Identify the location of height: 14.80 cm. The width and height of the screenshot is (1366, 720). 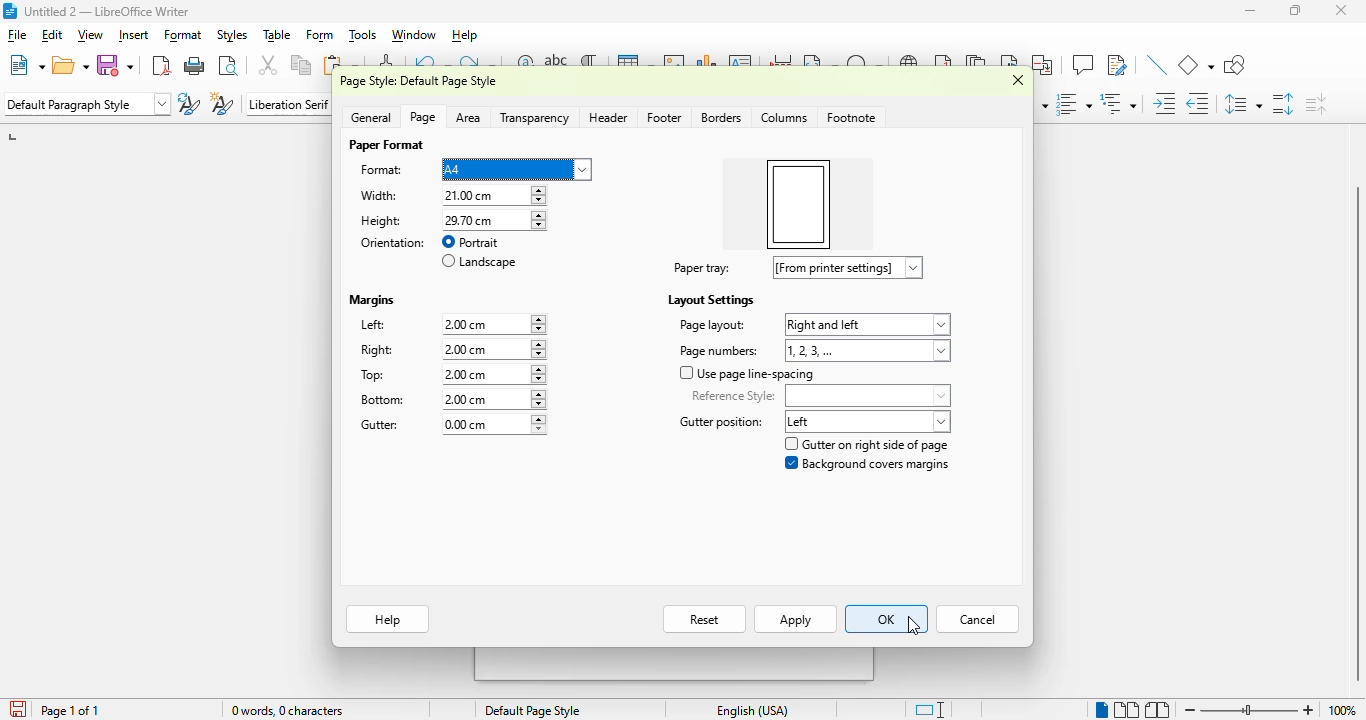
(449, 220).